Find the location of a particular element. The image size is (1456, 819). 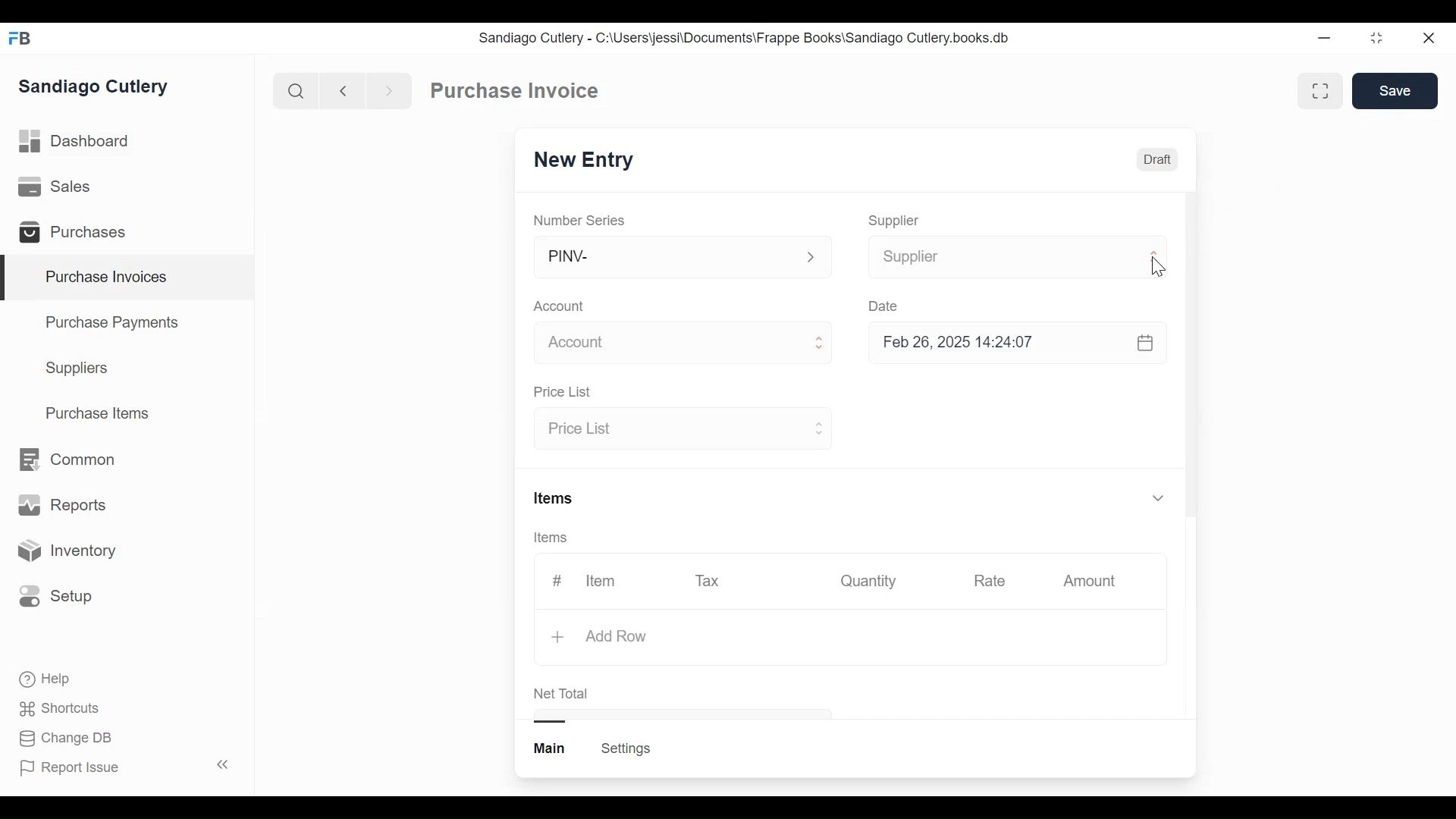

Expand is located at coordinates (817, 427).